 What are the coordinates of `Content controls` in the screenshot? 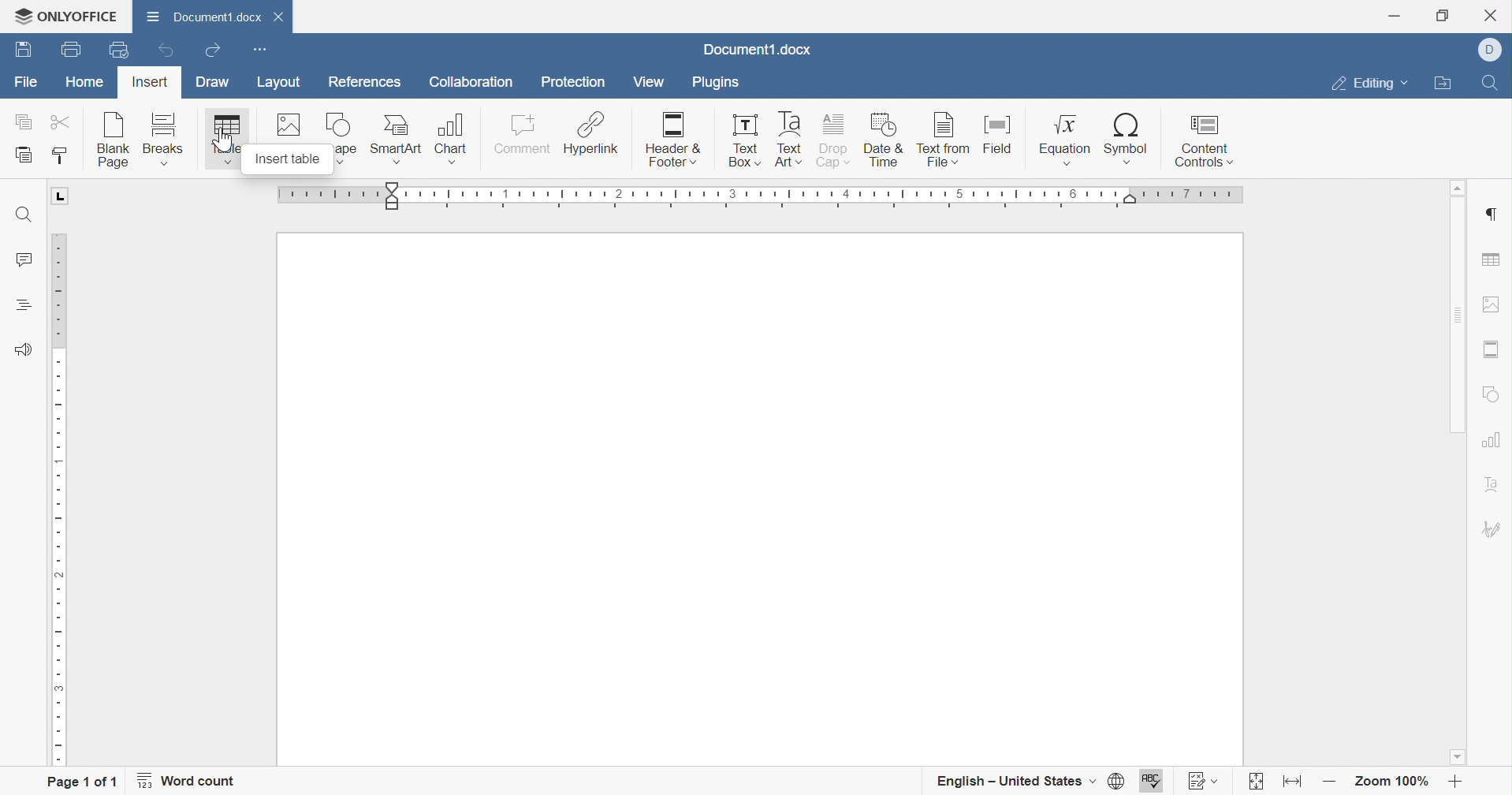 It's located at (1205, 141).